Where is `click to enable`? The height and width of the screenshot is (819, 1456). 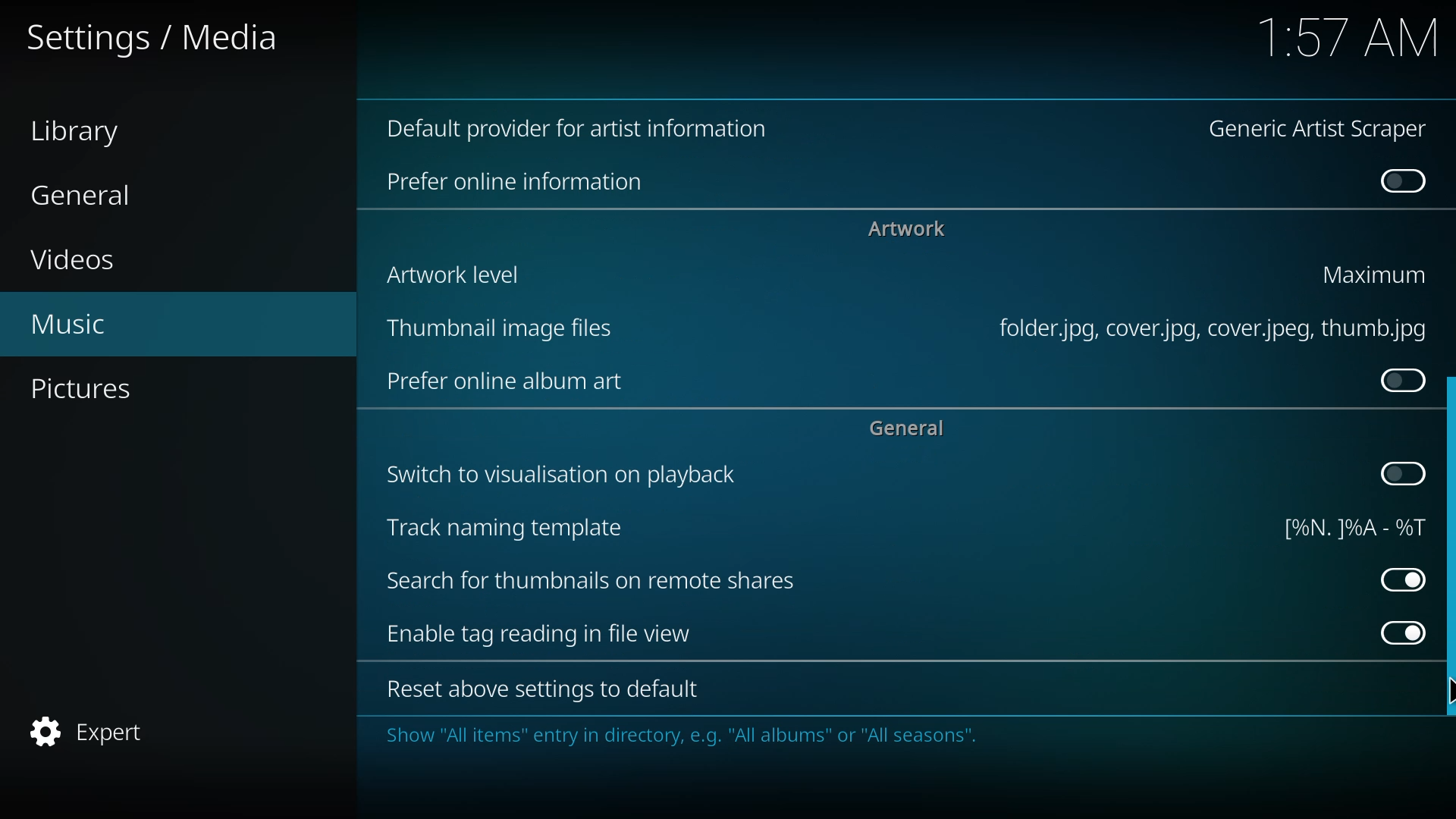 click to enable is located at coordinates (1397, 379).